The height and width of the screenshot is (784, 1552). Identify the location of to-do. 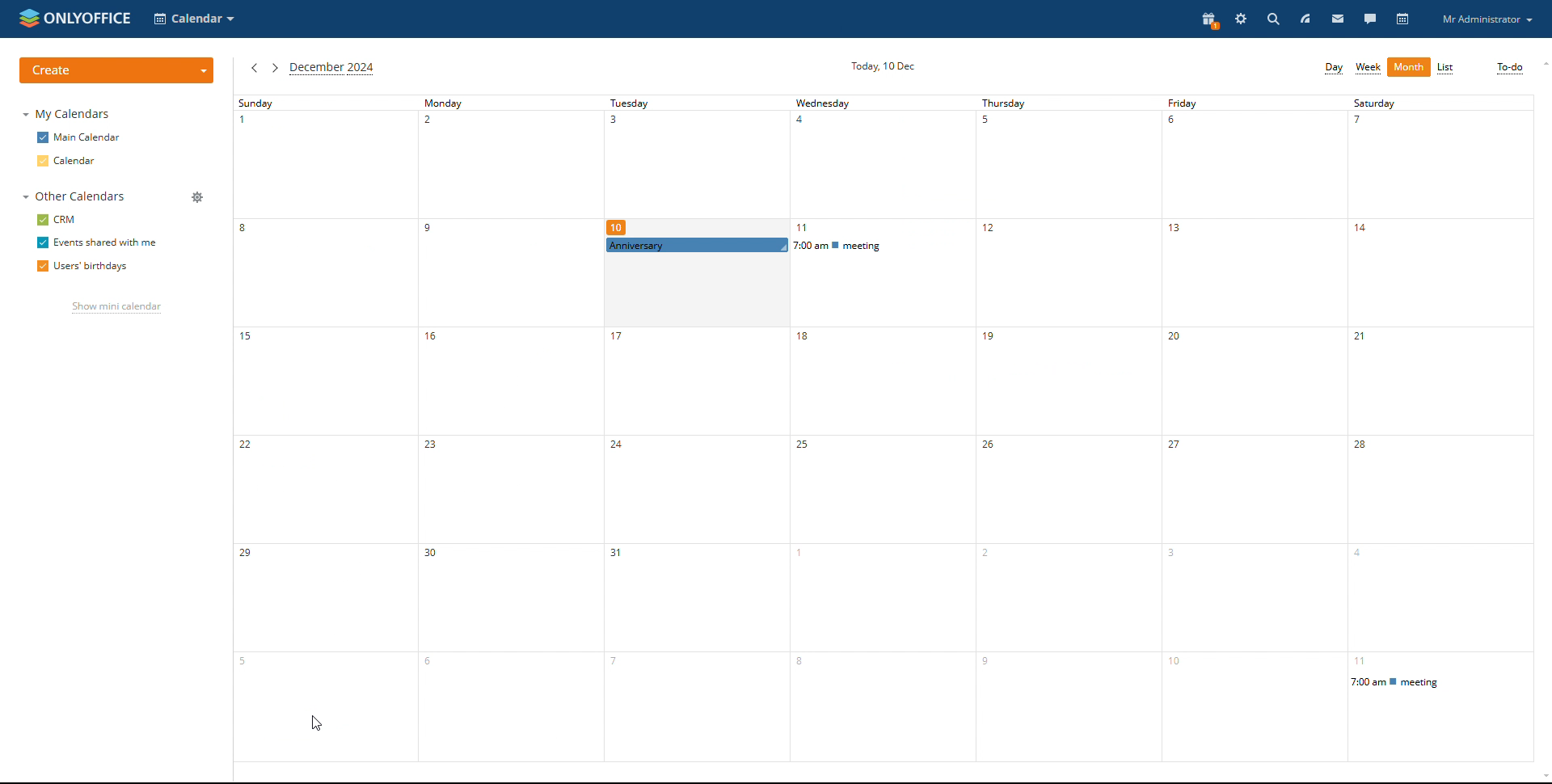
(1508, 68).